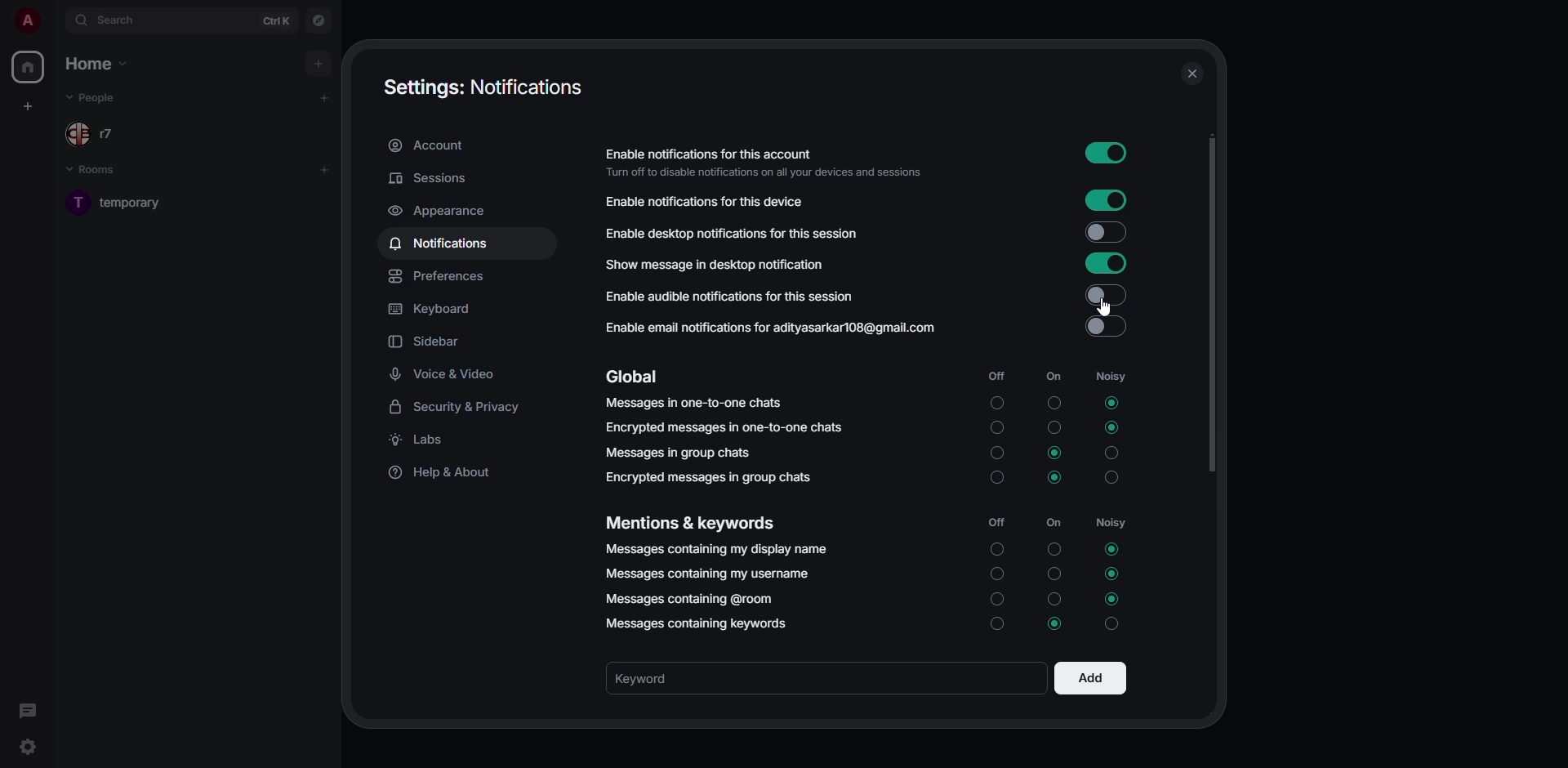  Describe the element at coordinates (122, 19) in the screenshot. I see `search` at that location.